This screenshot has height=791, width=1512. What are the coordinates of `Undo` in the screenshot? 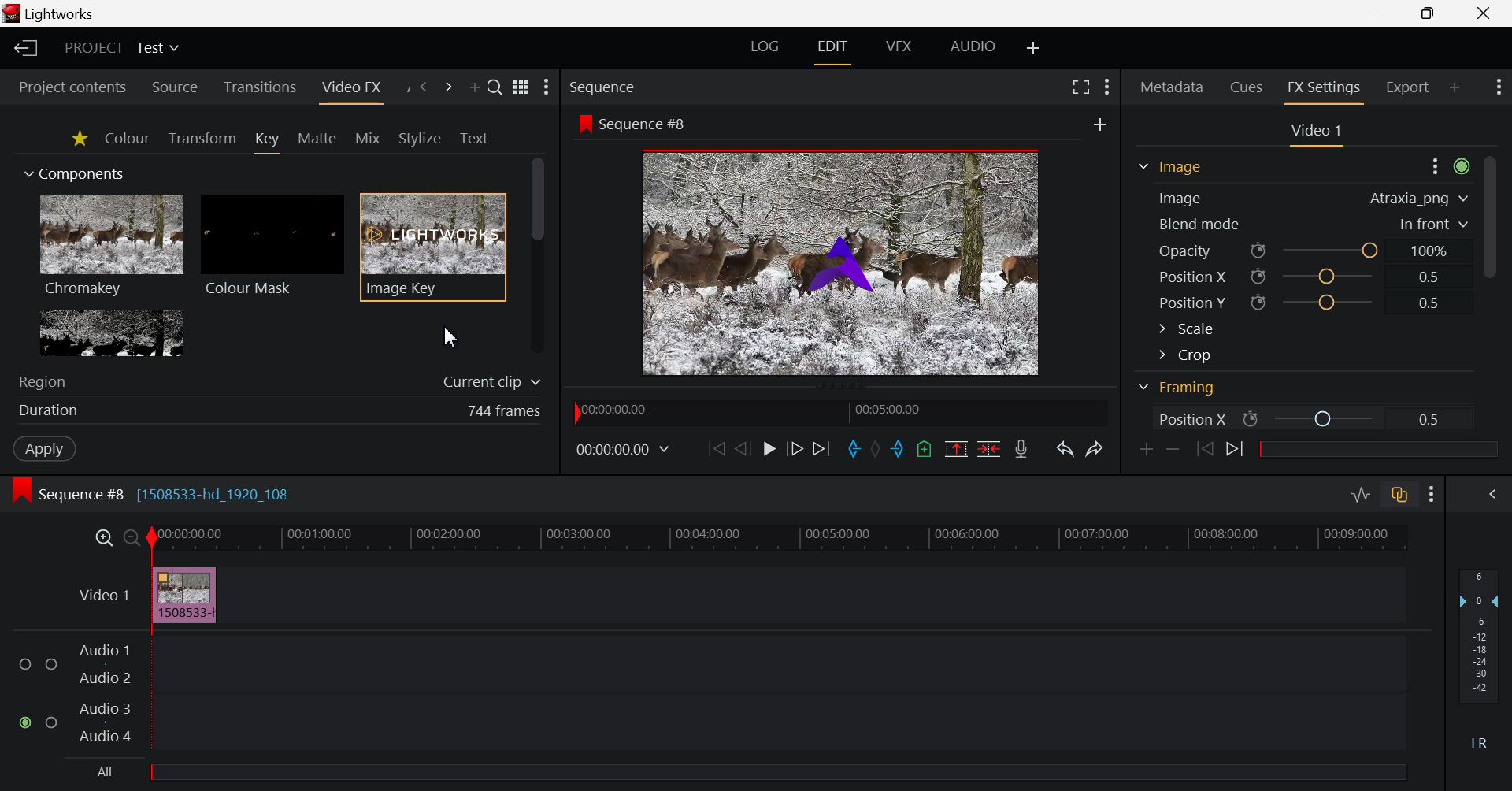 It's located at (1067, 448).